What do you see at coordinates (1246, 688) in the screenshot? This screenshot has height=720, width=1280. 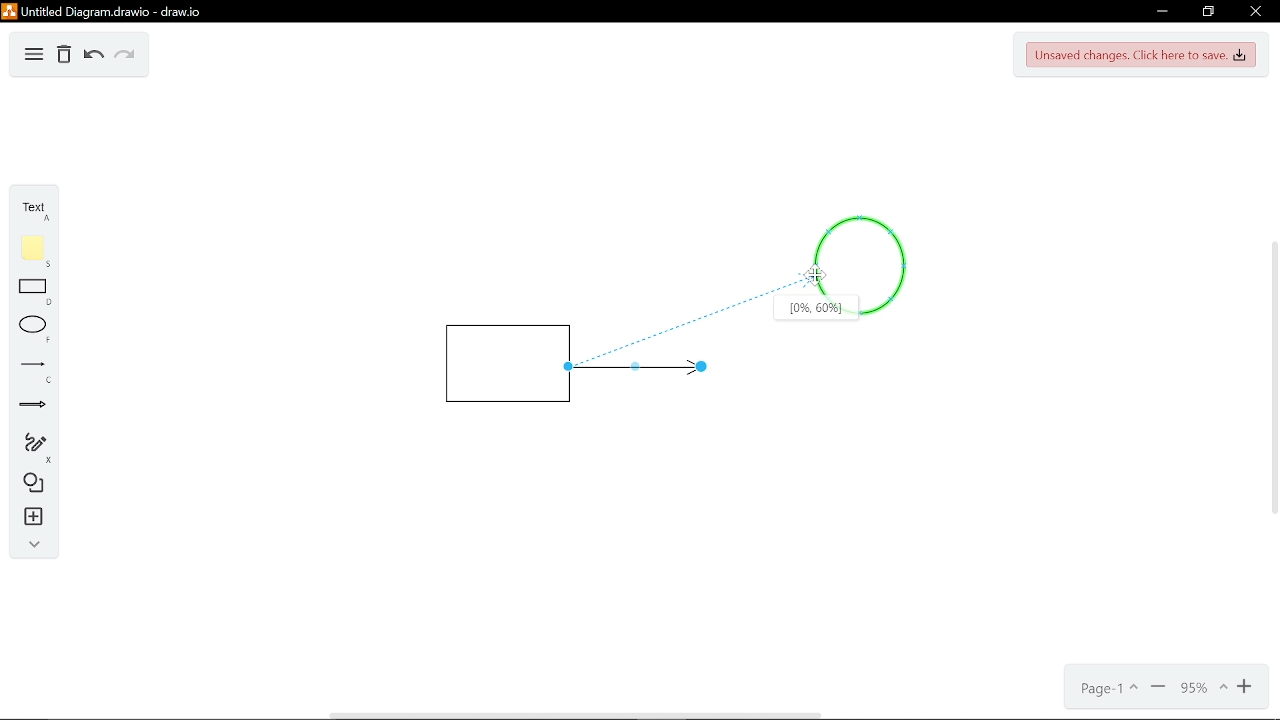 I see `Zoom in` at bounding box center [1246, 688].